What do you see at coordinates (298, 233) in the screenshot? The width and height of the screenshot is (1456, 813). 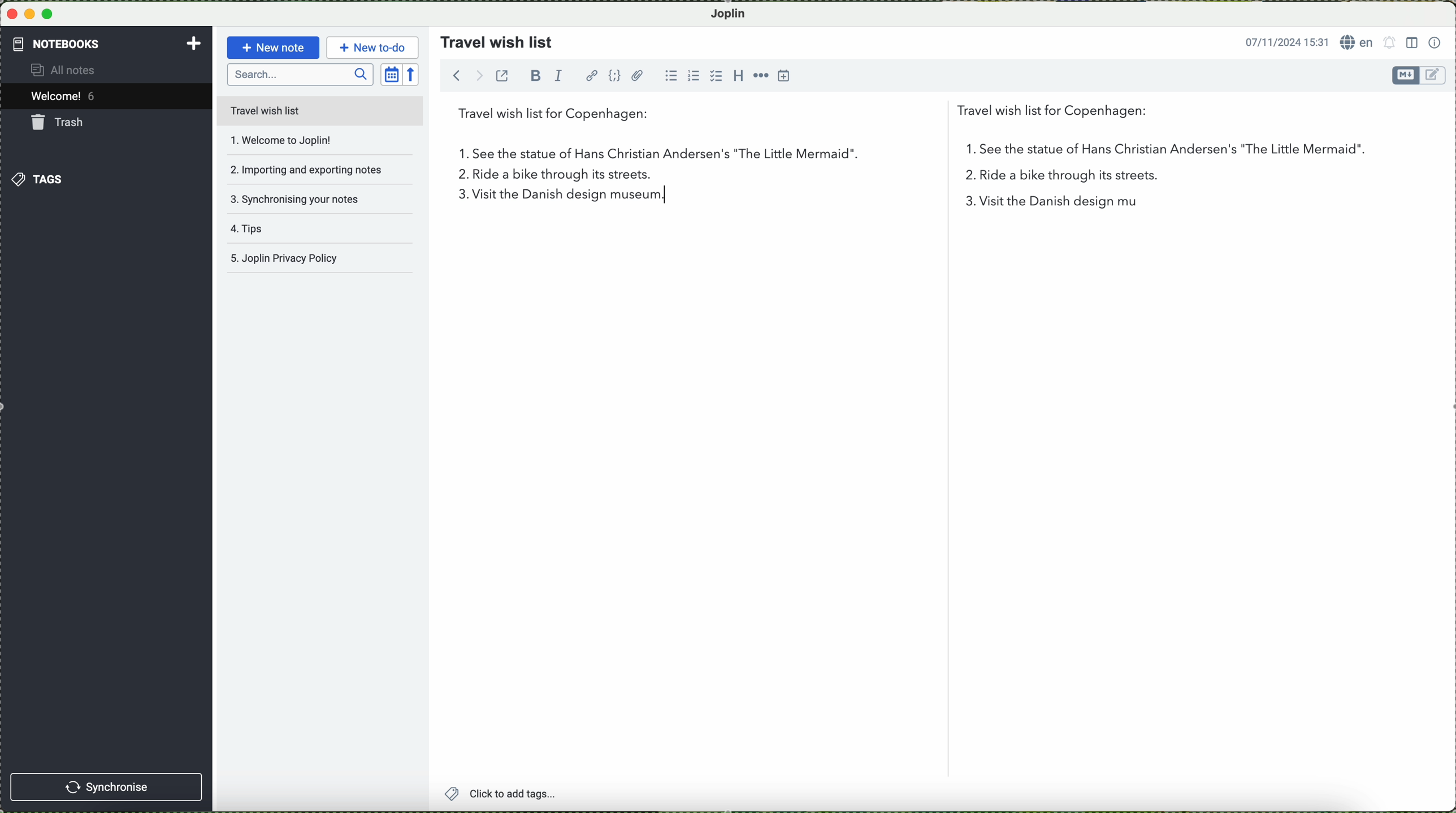 I see `tips` at bounding box center [298, 233].